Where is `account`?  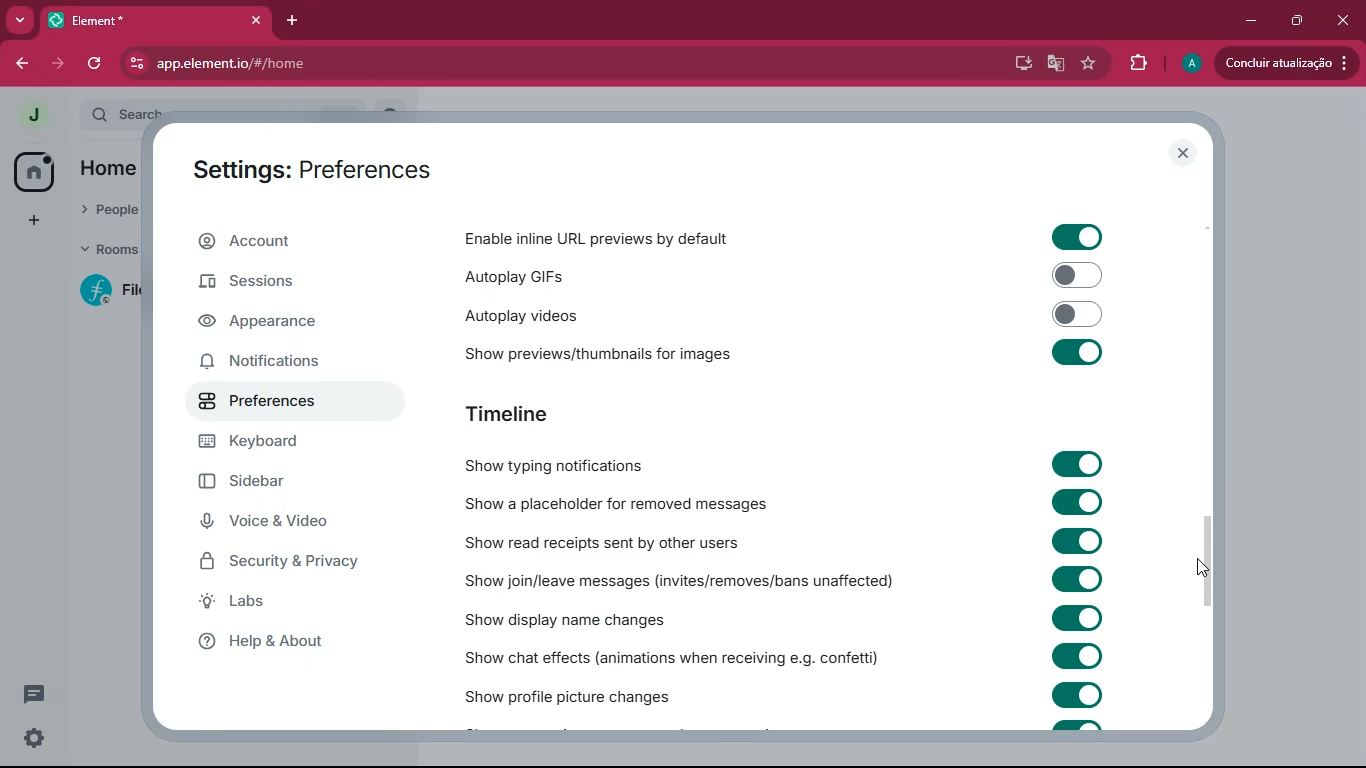
account is located at coordinates (288, 242).